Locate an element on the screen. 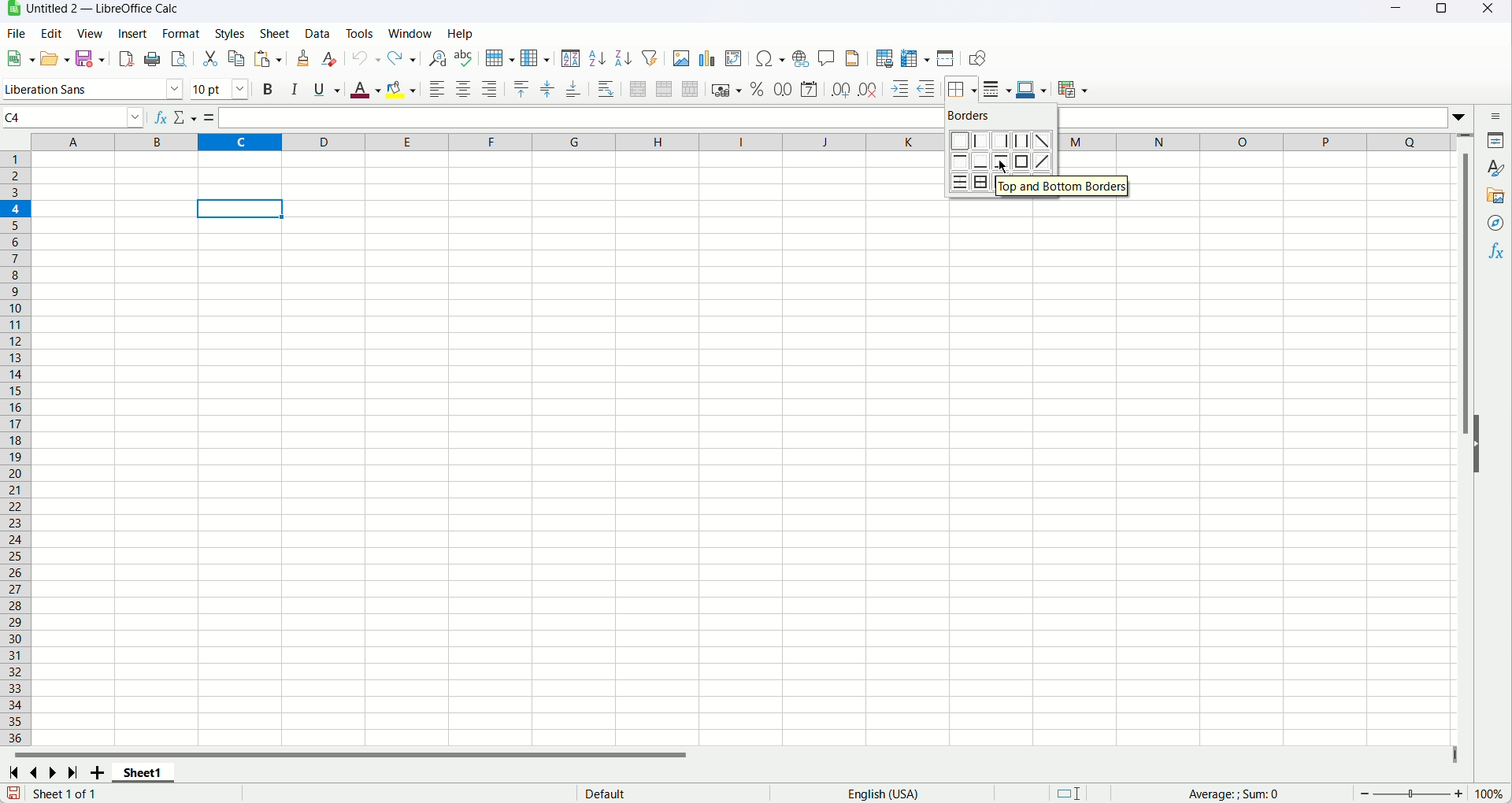  New is located at coordinates (20, 55).